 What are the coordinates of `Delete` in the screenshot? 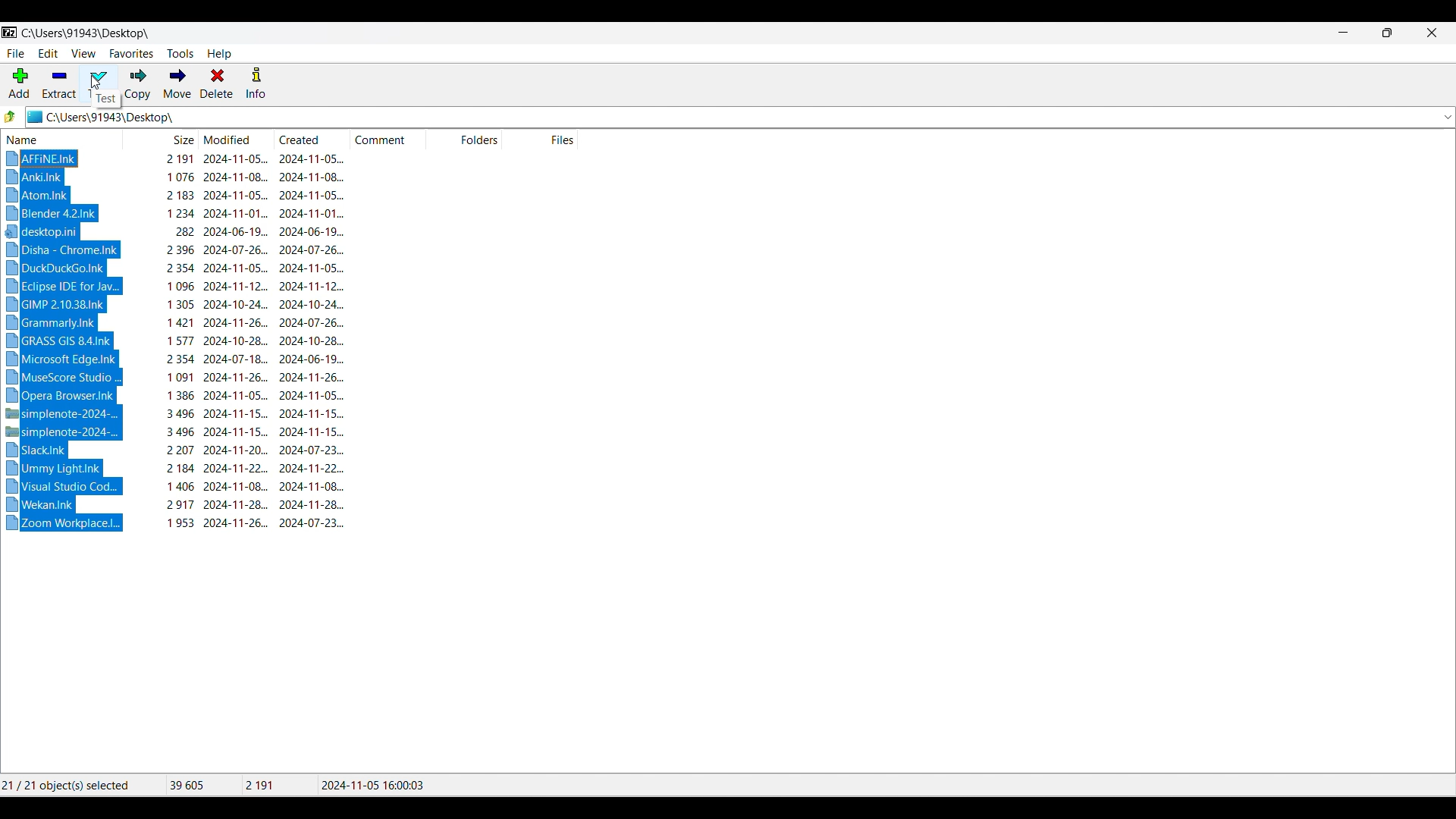 It's located at (217, 83).